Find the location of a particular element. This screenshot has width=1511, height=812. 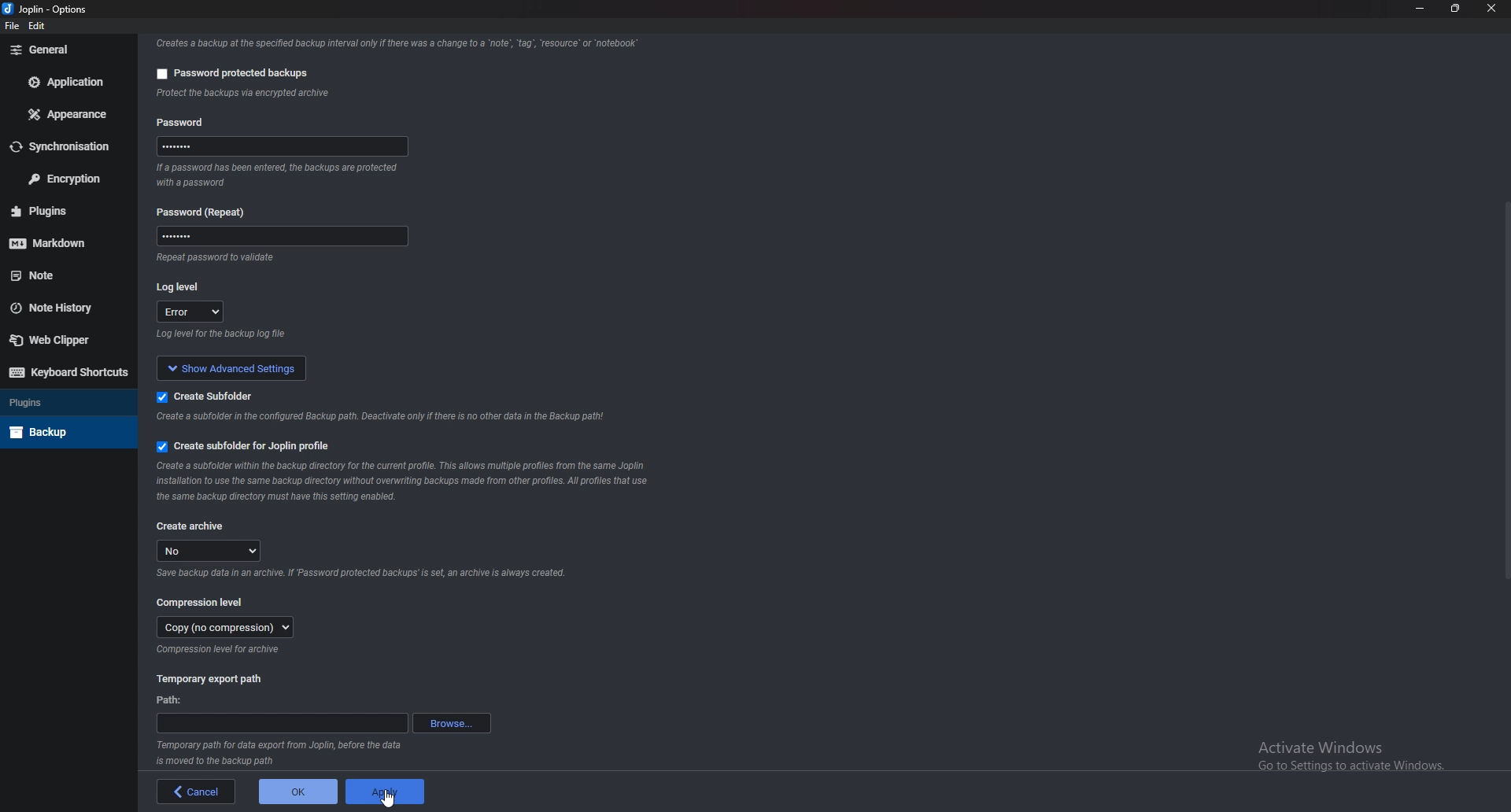

options is located at coordinates (72, 9).